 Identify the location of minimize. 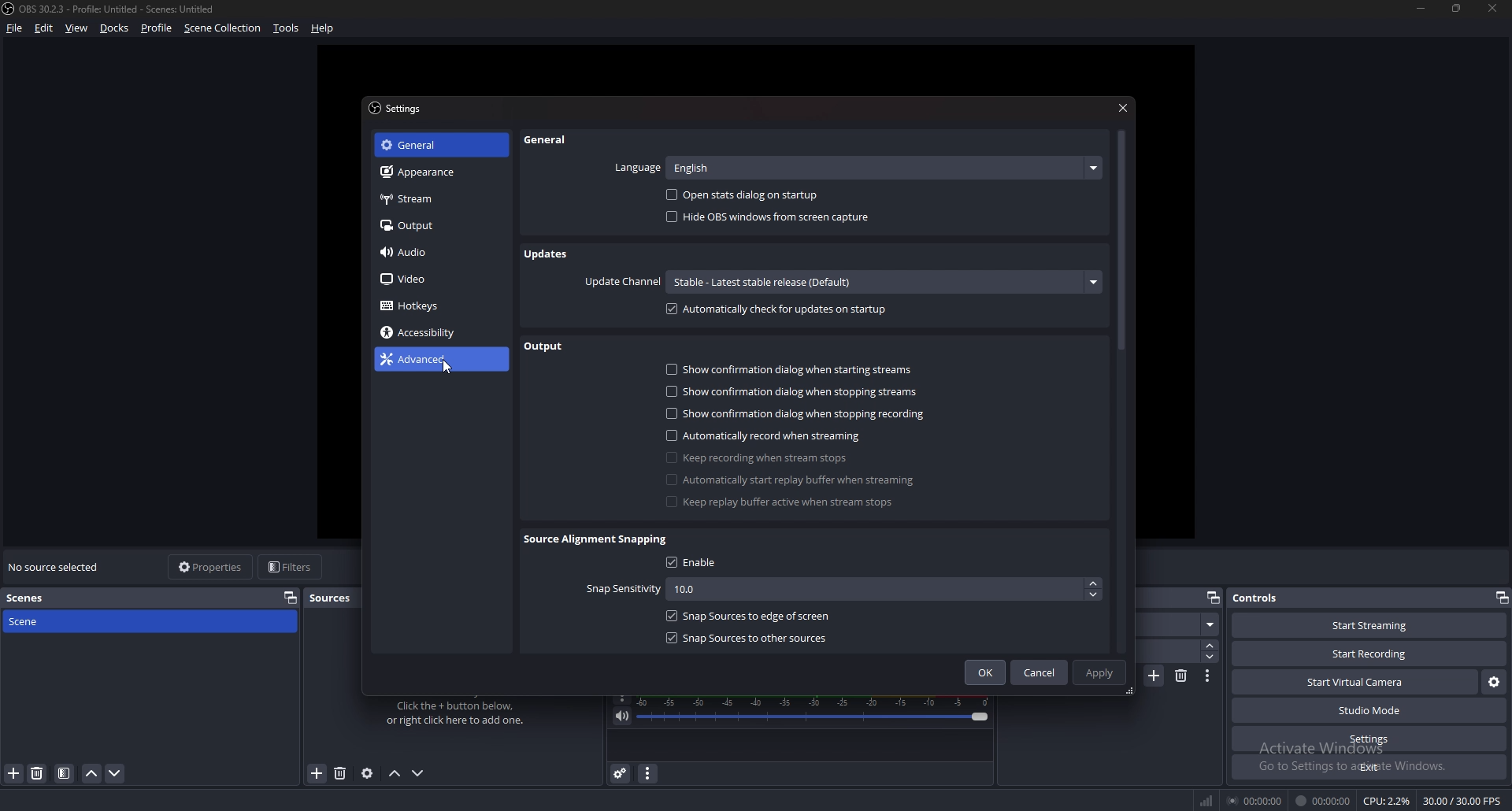
(1421, 7).